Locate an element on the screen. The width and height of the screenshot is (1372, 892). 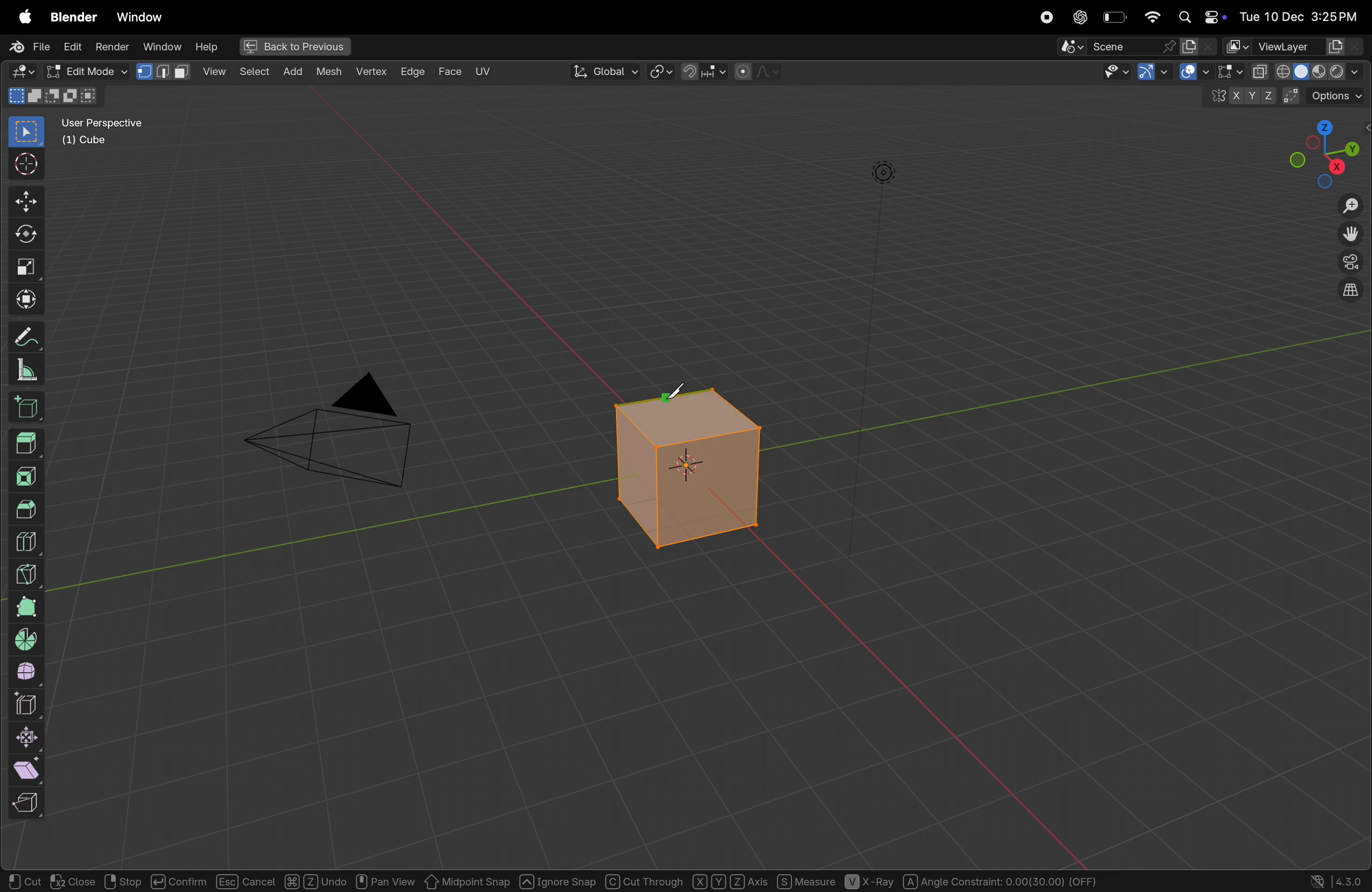
Window is located at coordinates (139, 17).